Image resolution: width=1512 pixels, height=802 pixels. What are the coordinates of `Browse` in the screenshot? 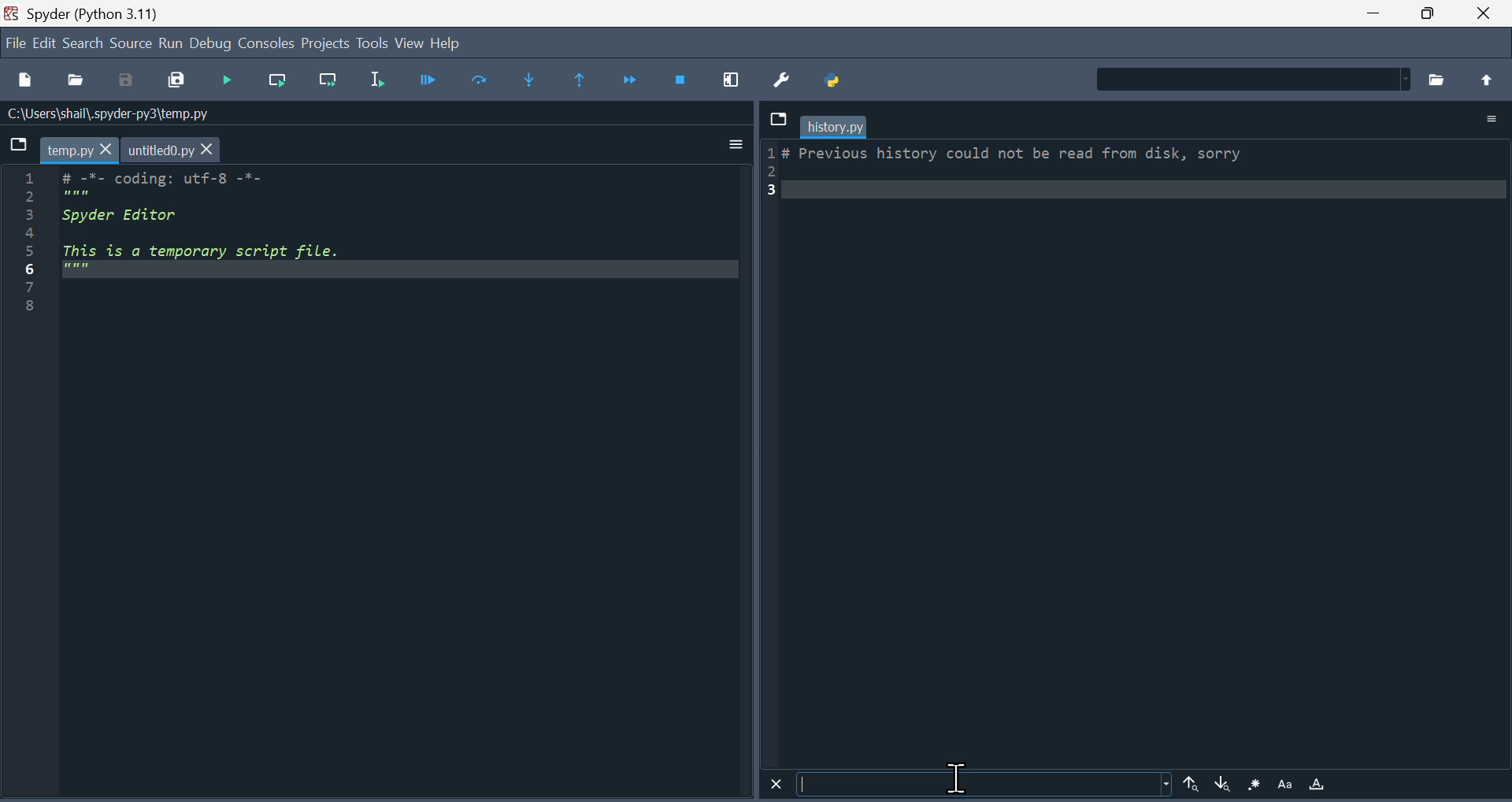 It's located at (1441, 78).